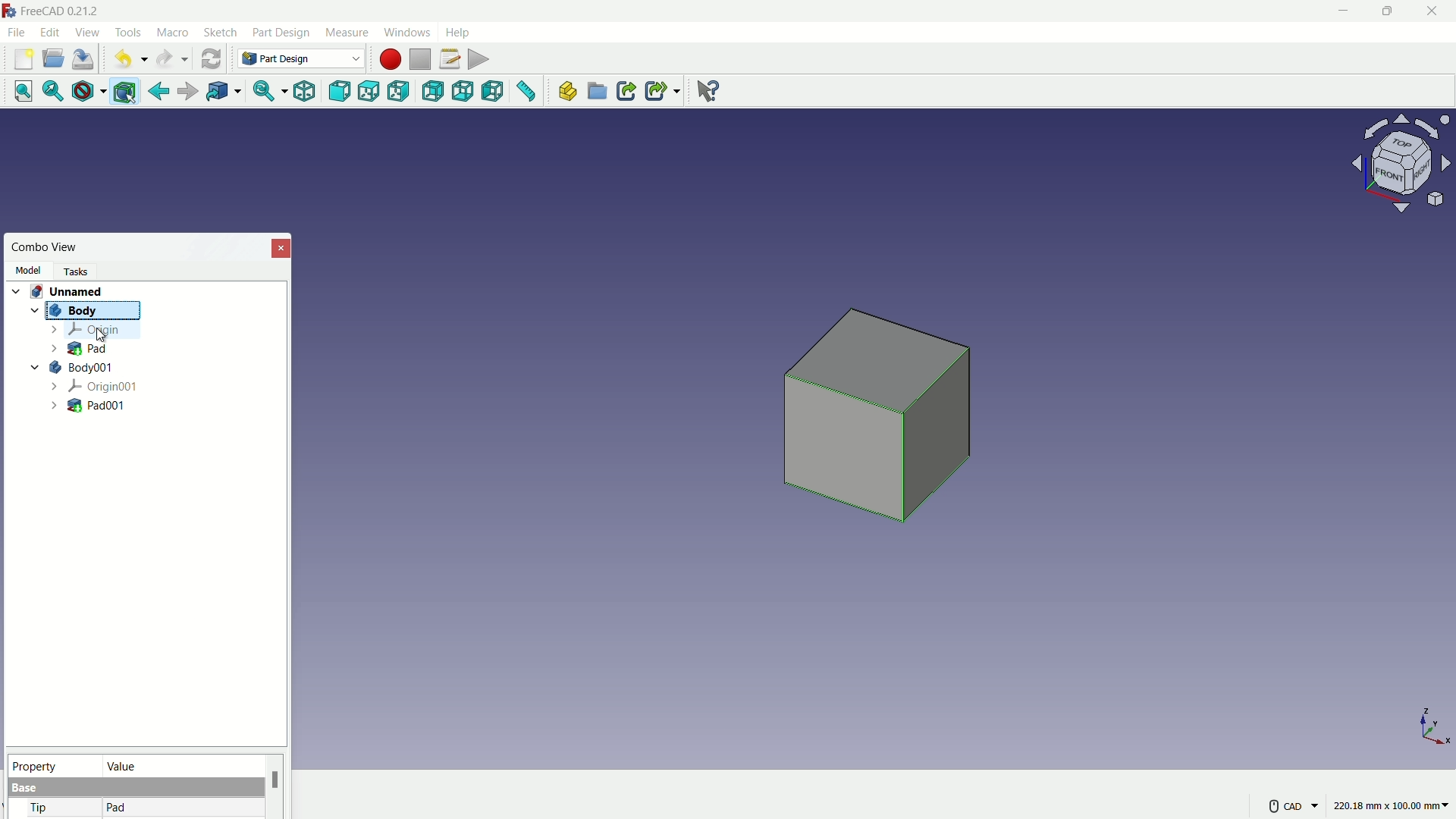  What do you see at coordinates (400, 94) in the screenshot?
I see `right view` at bounding box center [400, 94].